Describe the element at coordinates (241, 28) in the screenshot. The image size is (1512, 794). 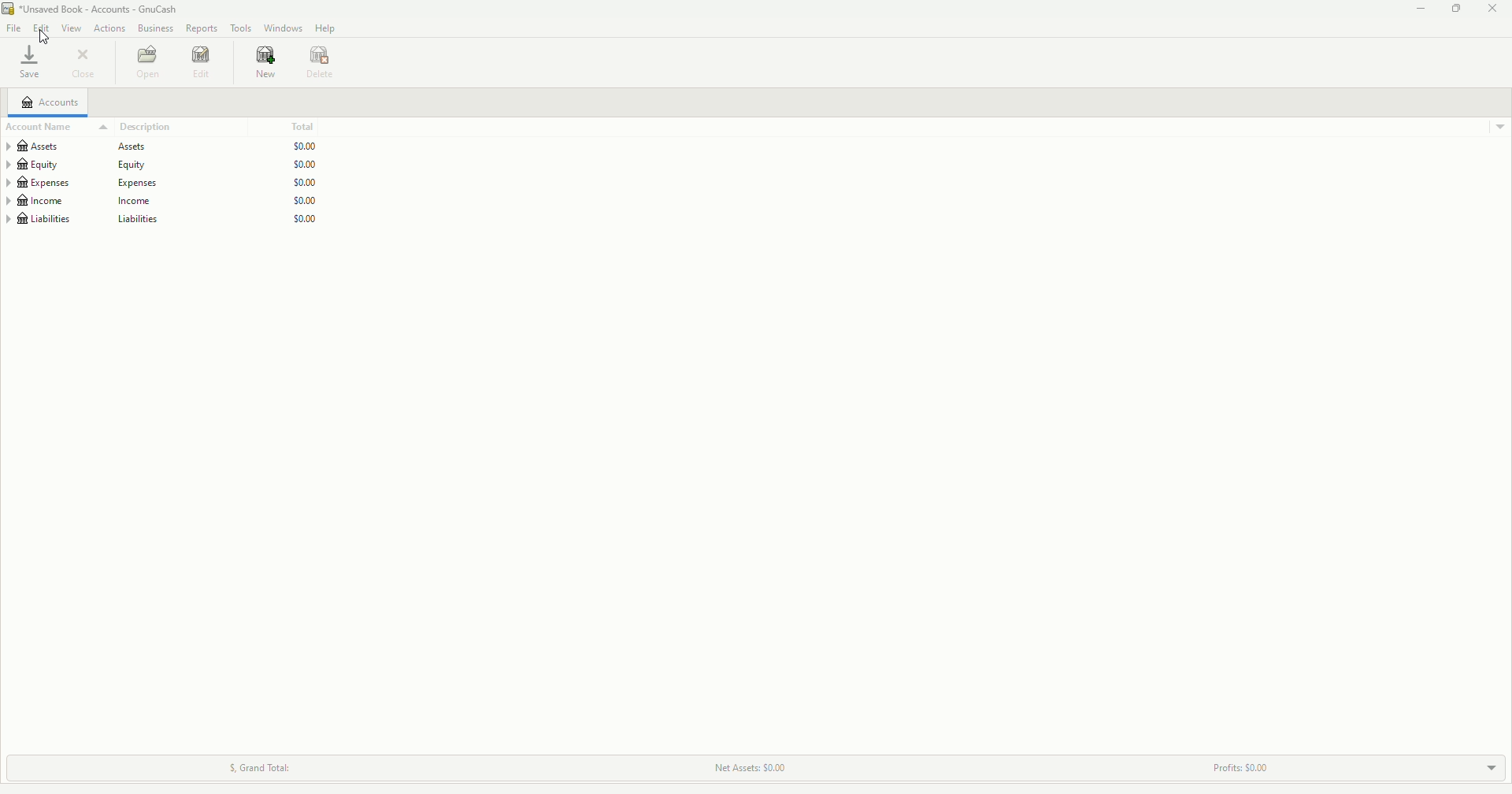
I see `Tools` at that location.